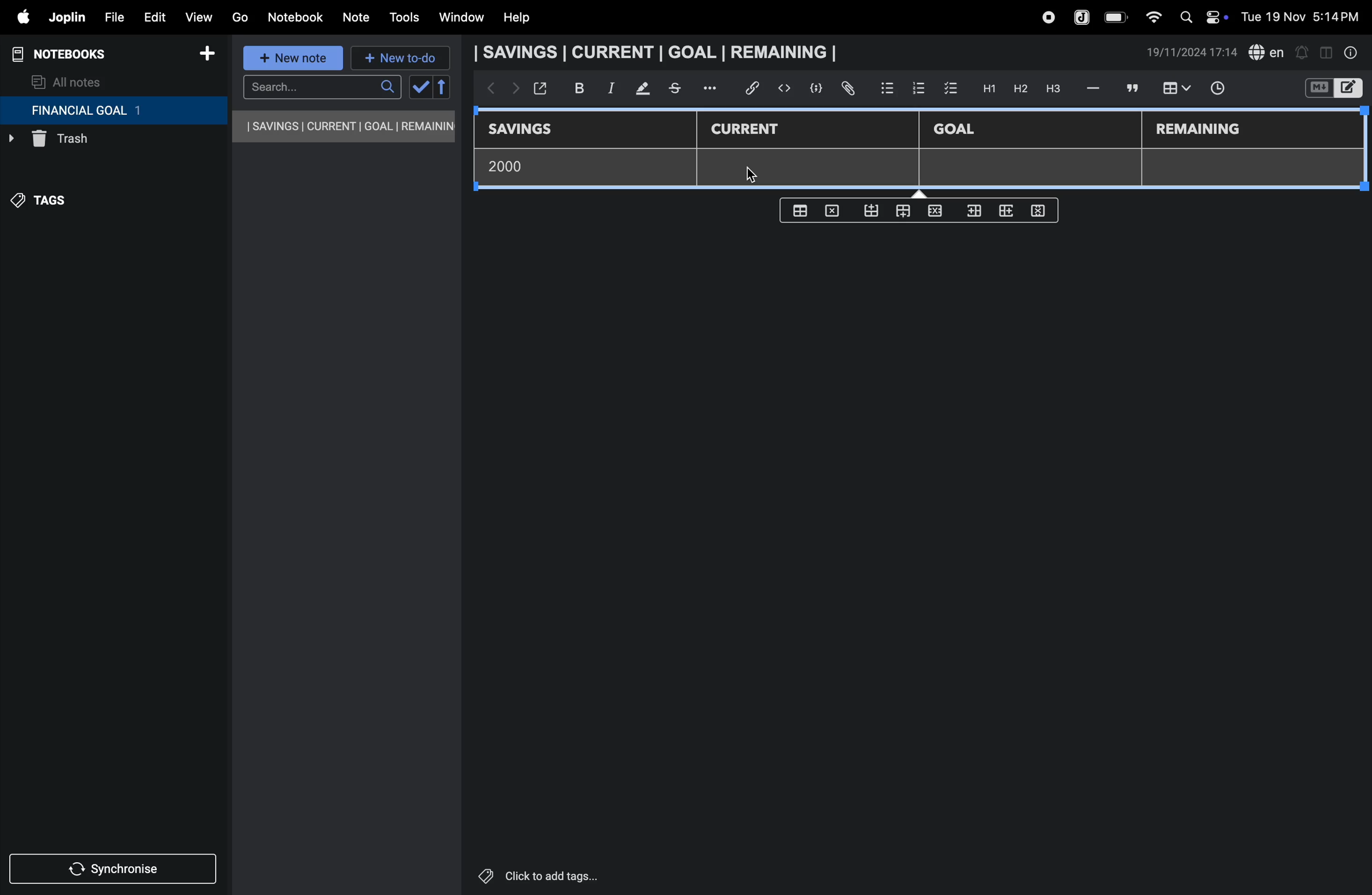  Describe the element at coordinates (972, 213) in the screenshot. I see `inser rows` at that location.